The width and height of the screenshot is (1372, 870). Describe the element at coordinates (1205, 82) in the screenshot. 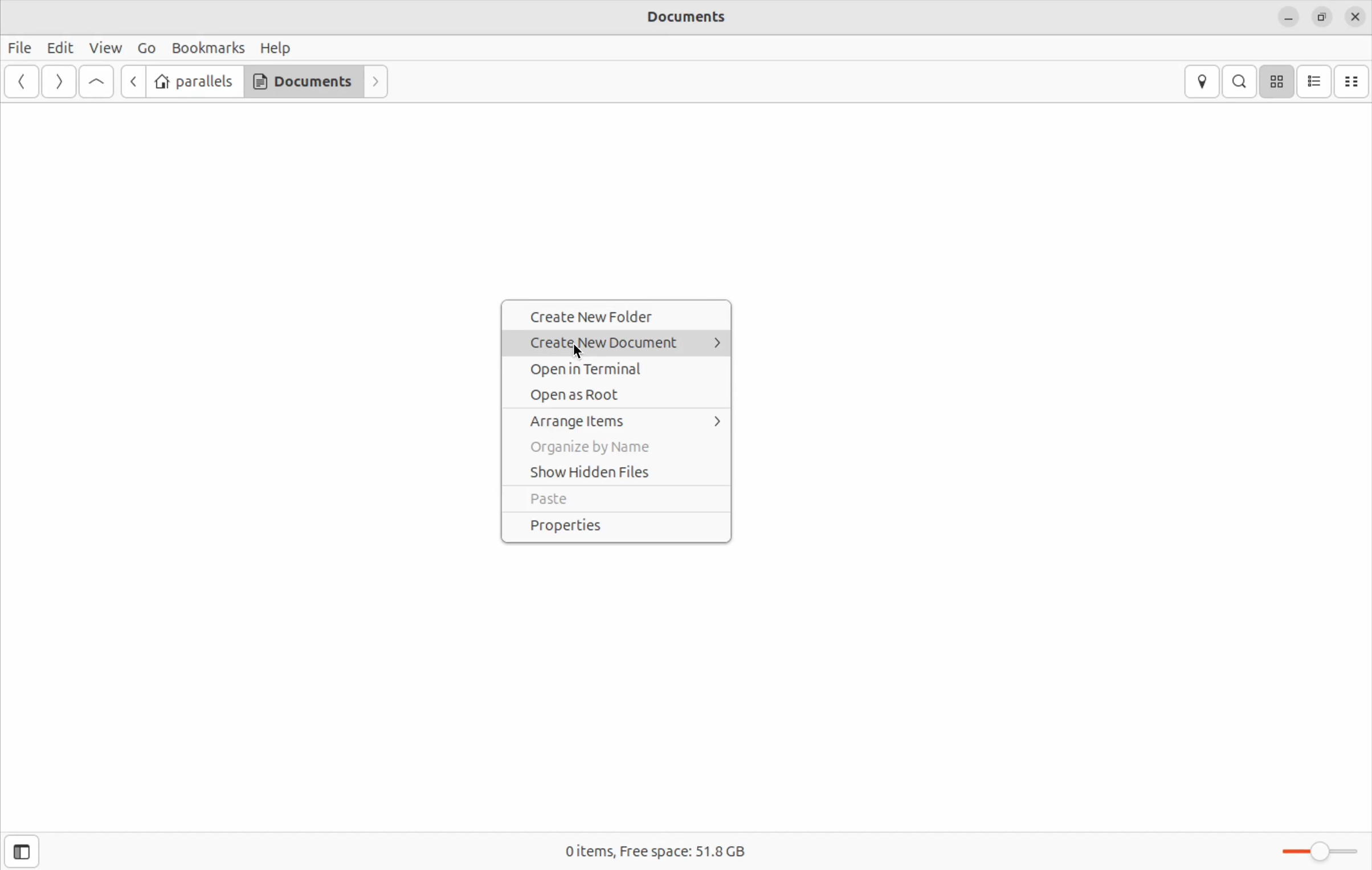

I see `locations` at that location.